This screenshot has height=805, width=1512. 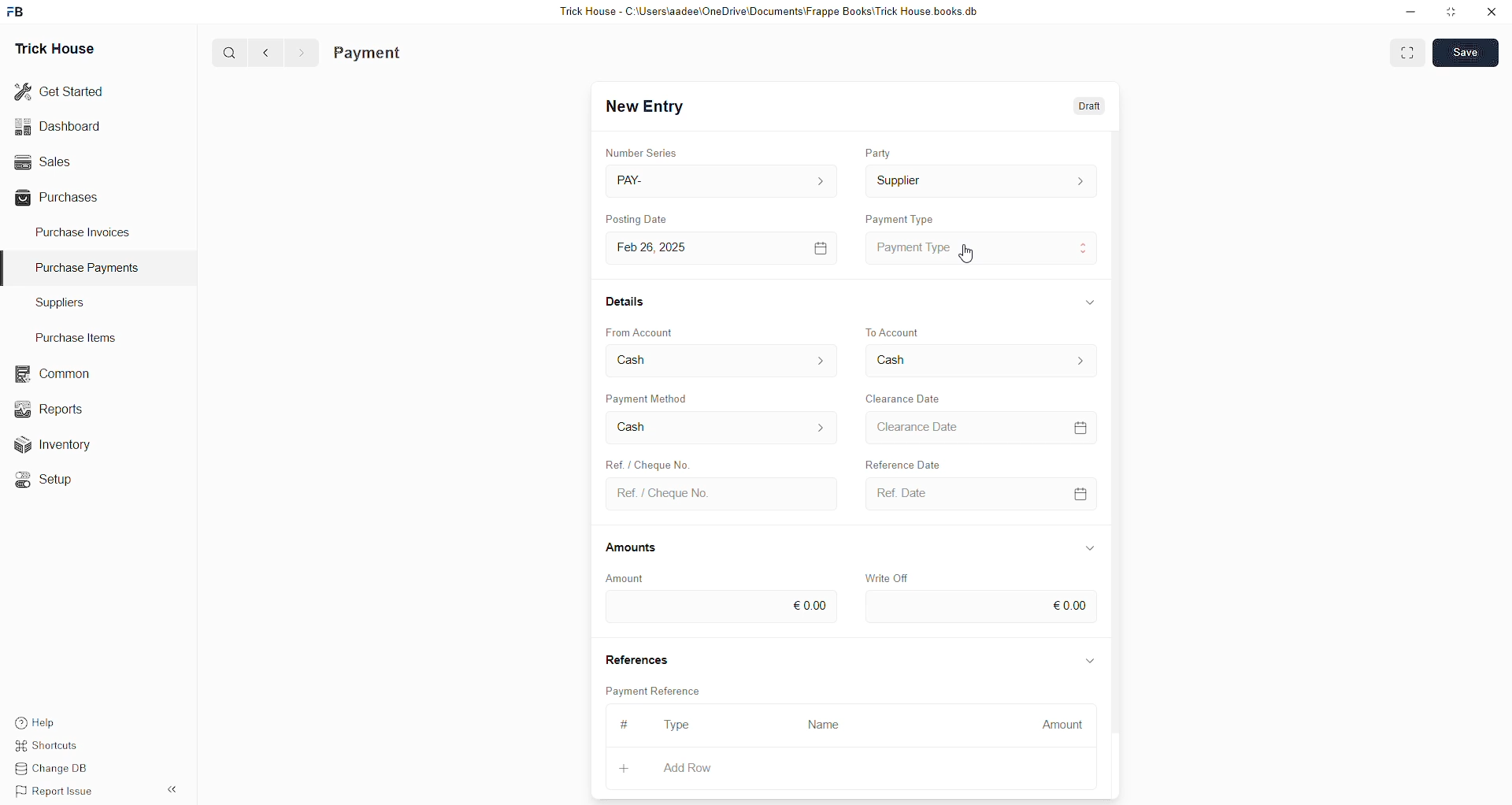 I want to click on €0.00, so click(x=720, y=608).